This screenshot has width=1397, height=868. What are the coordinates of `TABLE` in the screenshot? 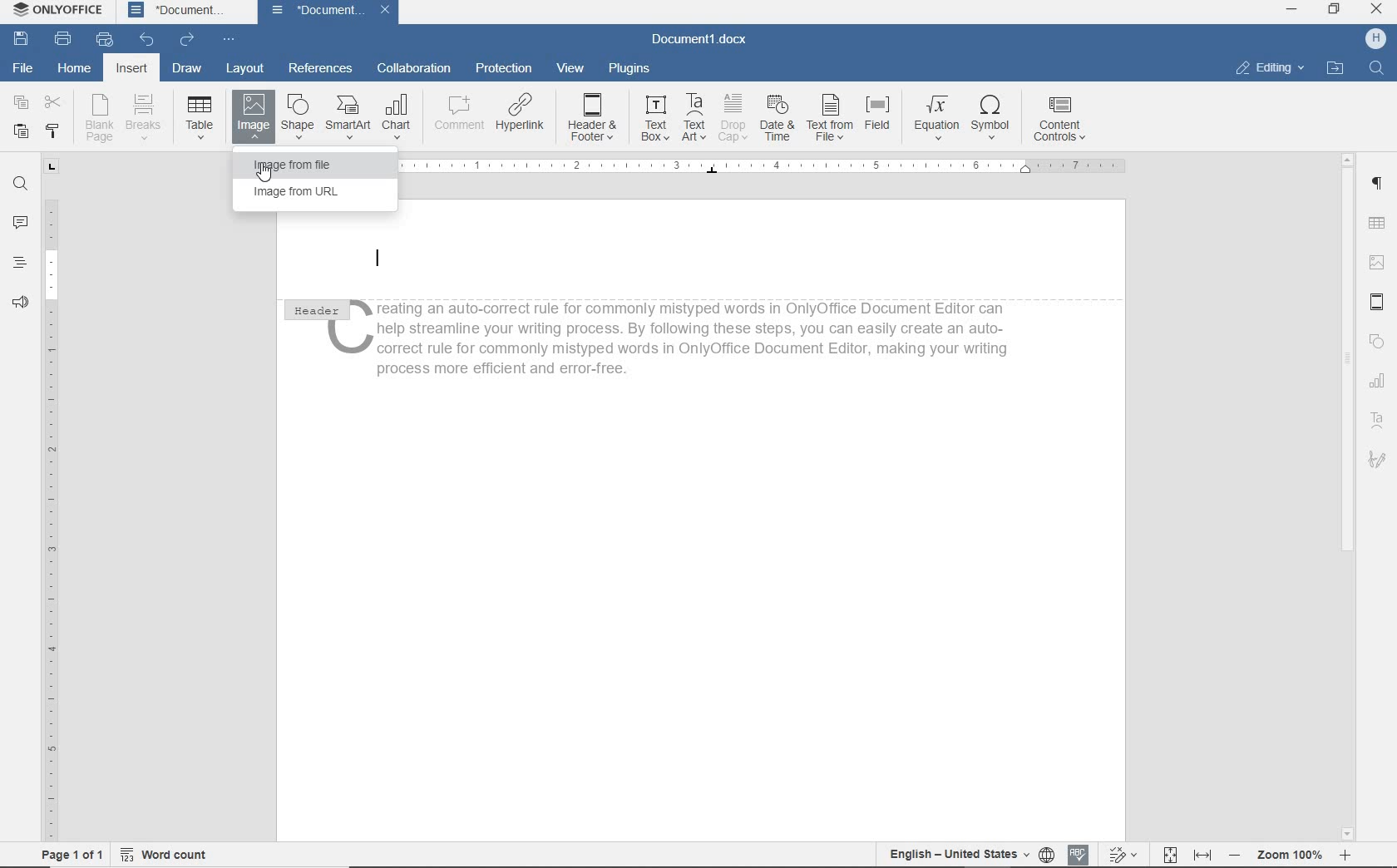 It's located at (200, 121).